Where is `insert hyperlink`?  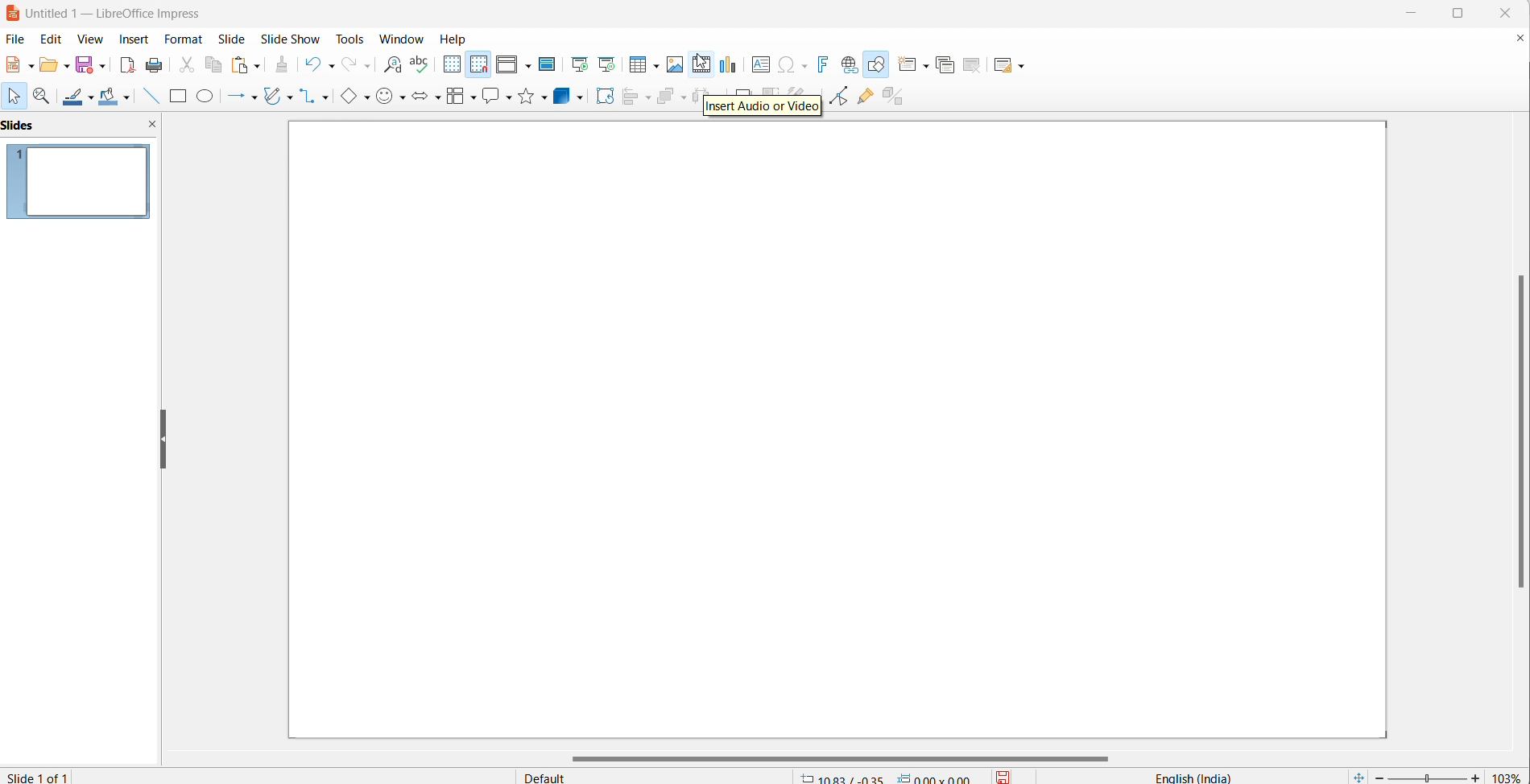 insert hyperlink is located at coordinates (852, 65).